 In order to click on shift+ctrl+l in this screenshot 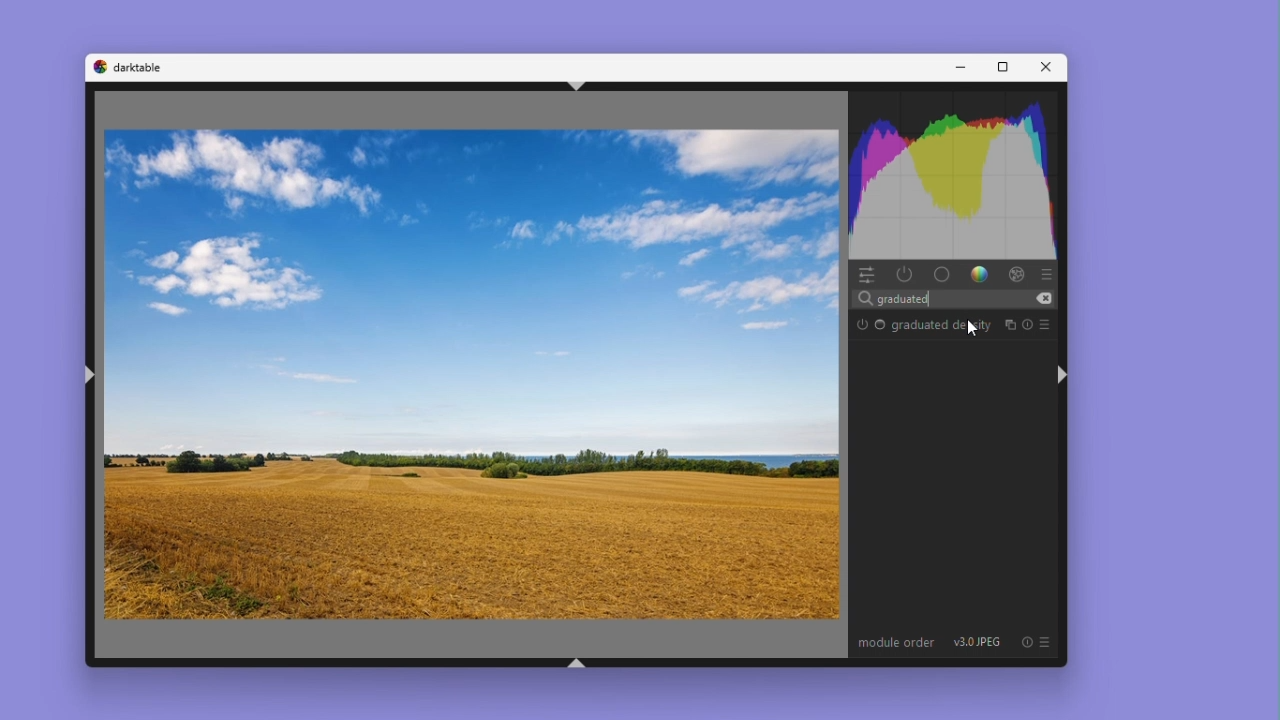, I will do `click(93, 378)`.